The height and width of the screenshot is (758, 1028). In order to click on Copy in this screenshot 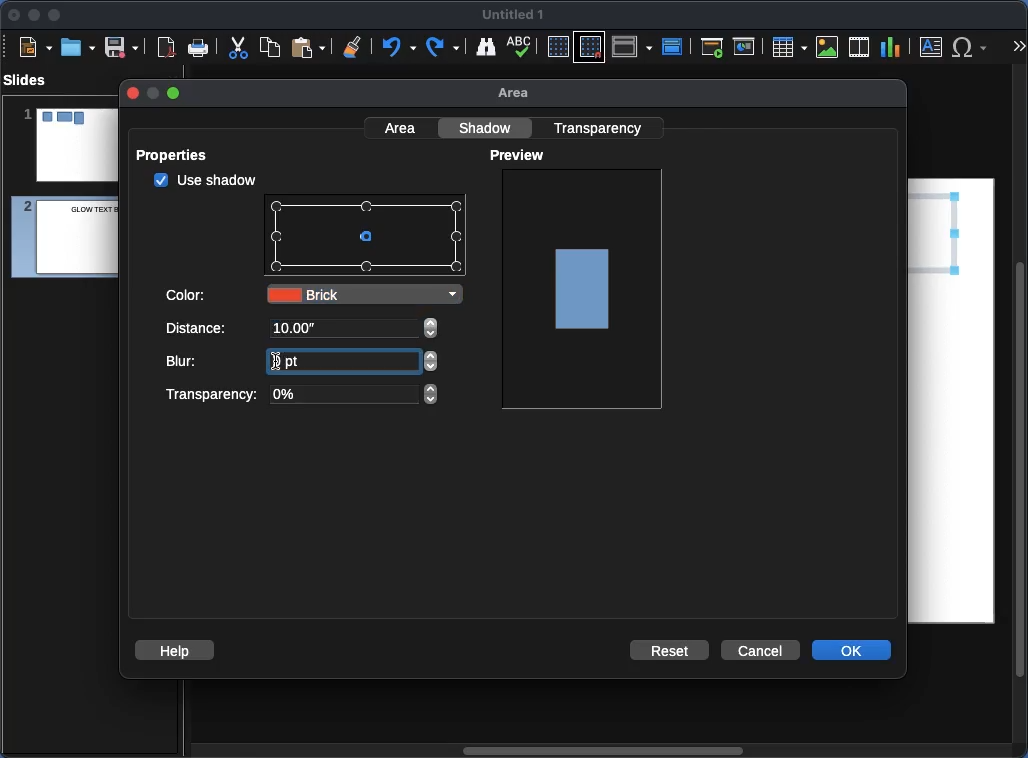, I will do `click(270, 46)`.